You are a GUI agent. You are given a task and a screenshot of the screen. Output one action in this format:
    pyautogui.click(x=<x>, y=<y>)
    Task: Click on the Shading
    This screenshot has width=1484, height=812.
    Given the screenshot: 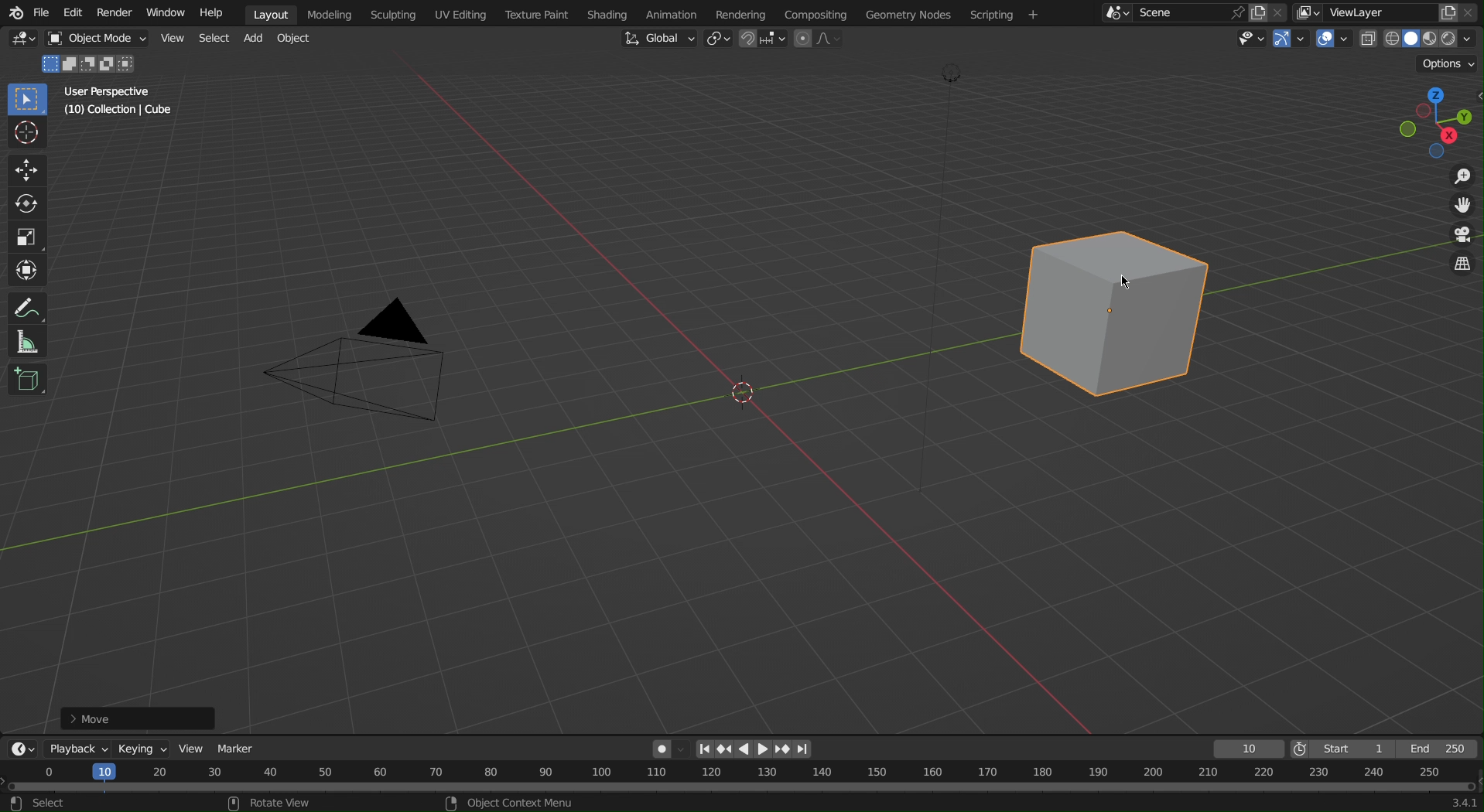 What is the action you would take?
    pyautogui.click(x=615, y=12)
    